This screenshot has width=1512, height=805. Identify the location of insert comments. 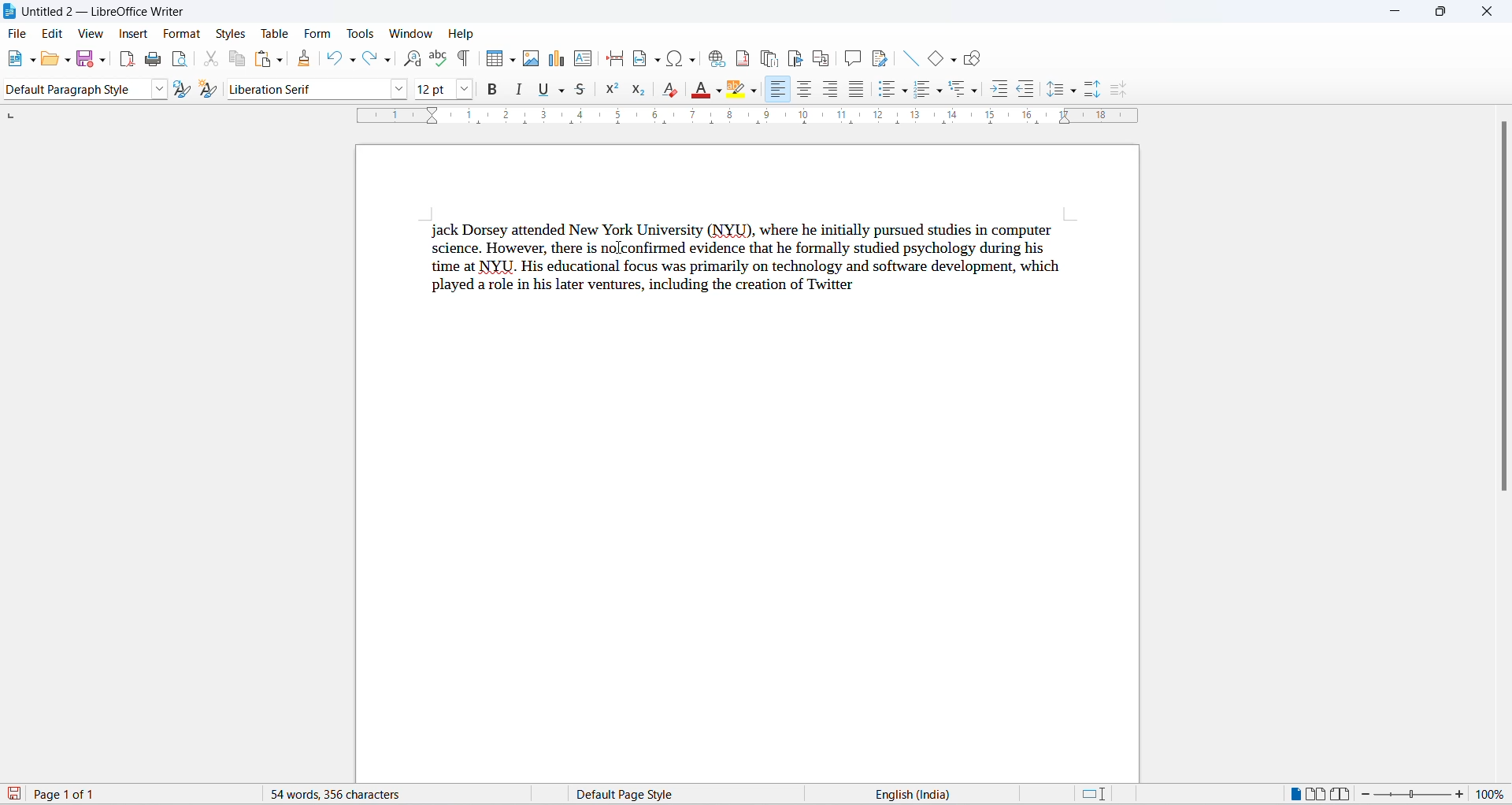
(852, 57).